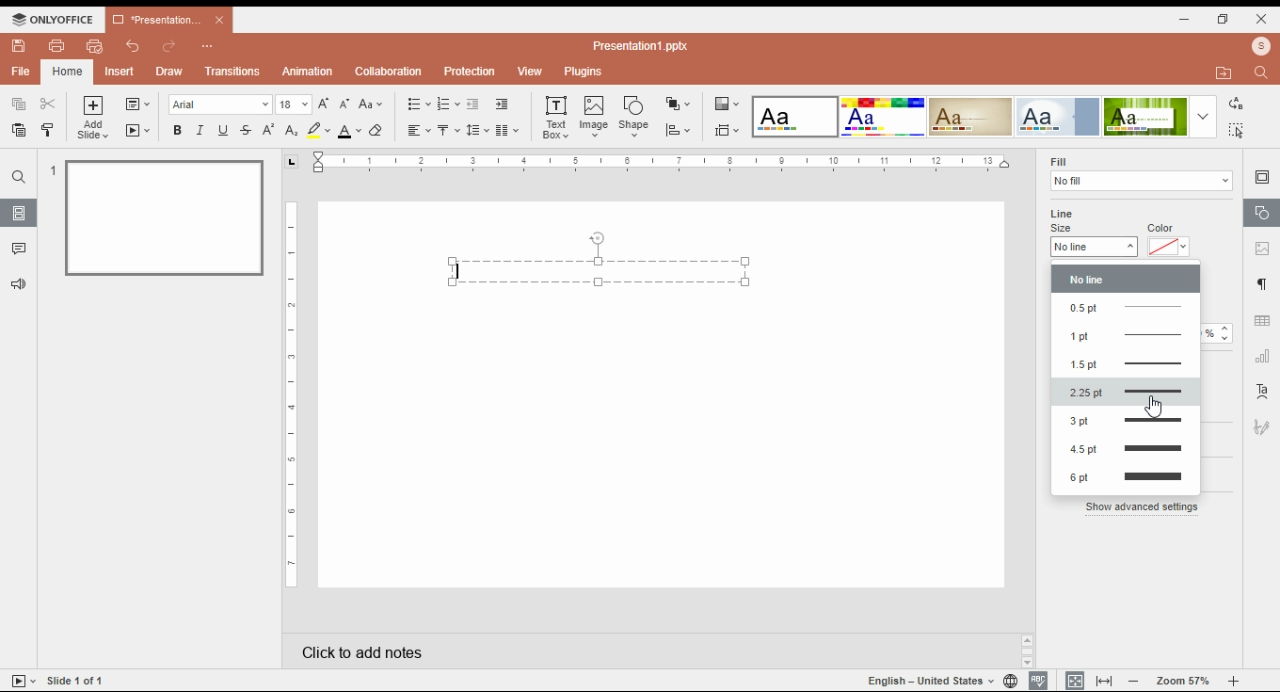 The image size is (1280, 692). I want to click on font color, so click(350, 131).